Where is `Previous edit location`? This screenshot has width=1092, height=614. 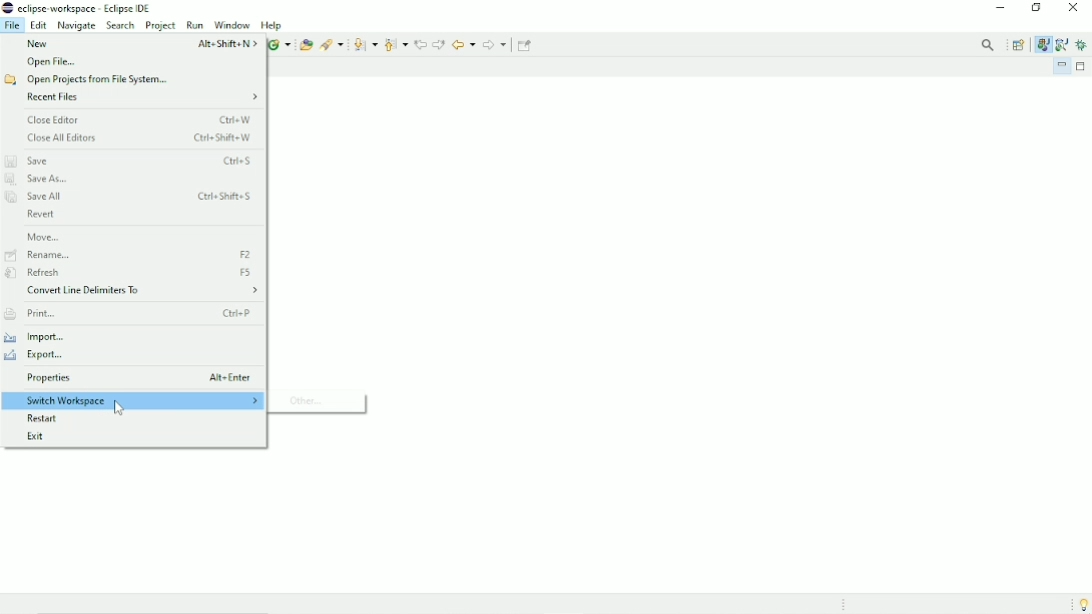 Previous edit location is located at coordinates (420, 43).